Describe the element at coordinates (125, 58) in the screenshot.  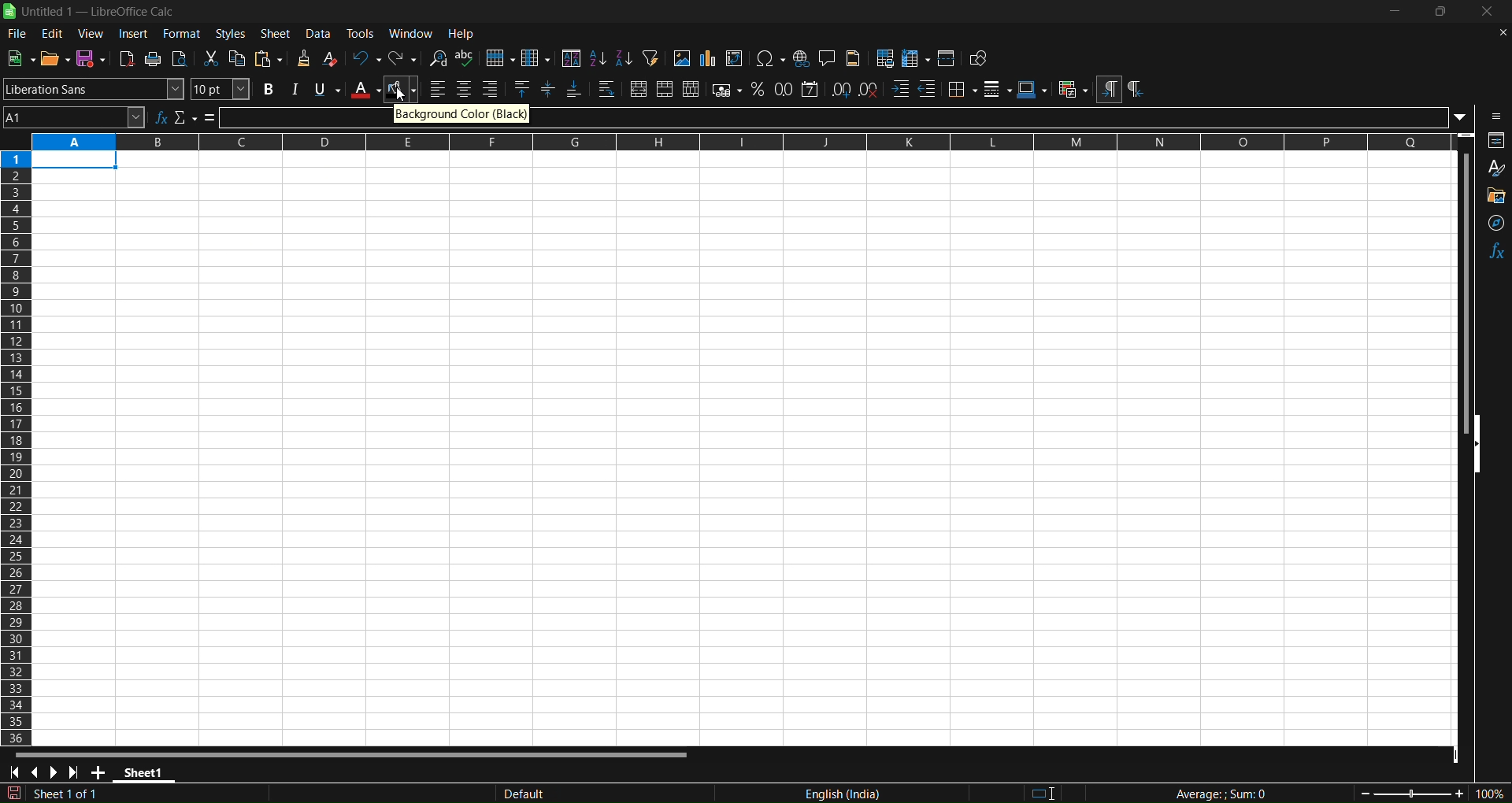
I see `export directly as pdf` at that location.